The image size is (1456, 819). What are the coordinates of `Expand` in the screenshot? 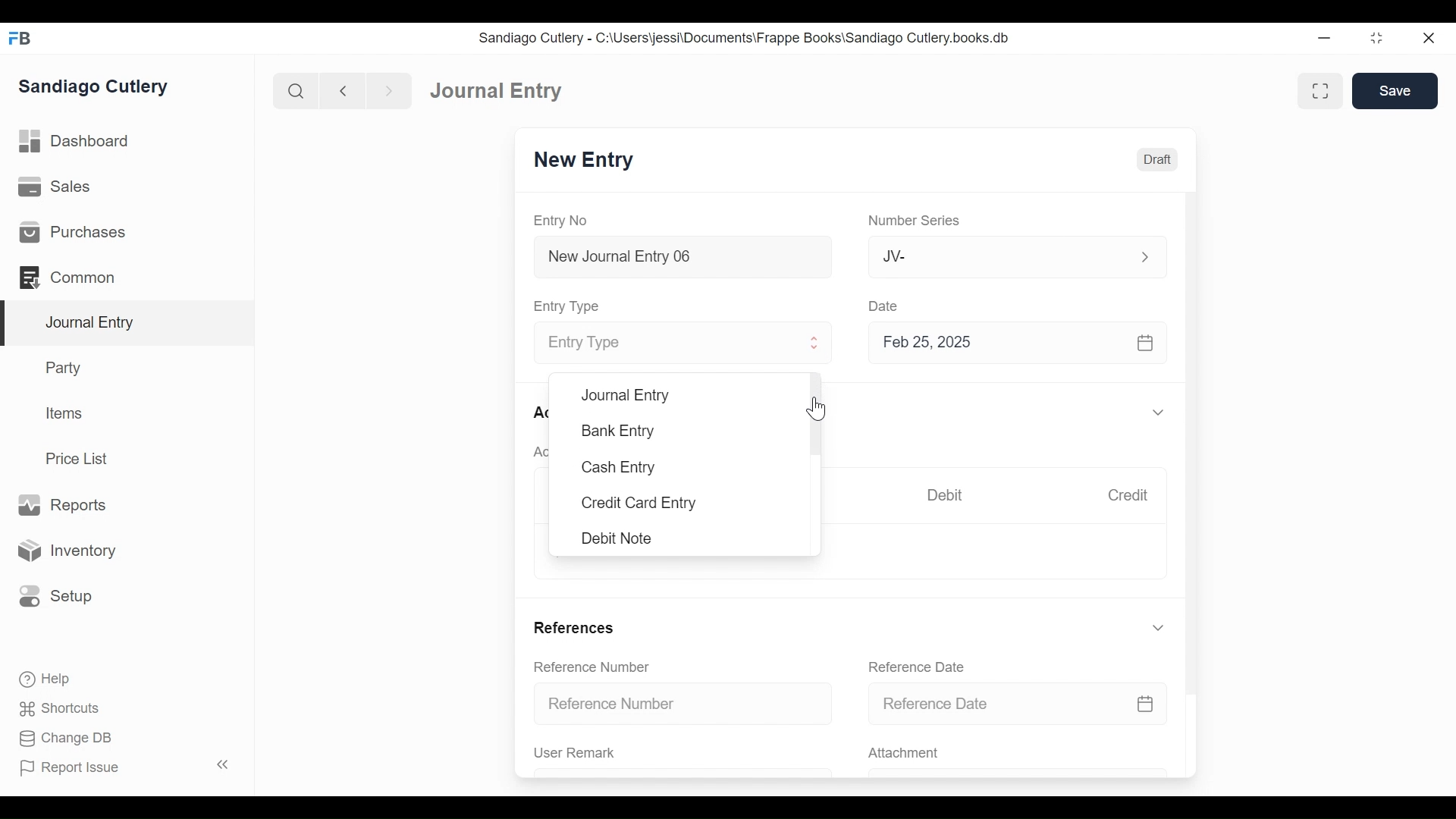 It's located at (1161, 413).